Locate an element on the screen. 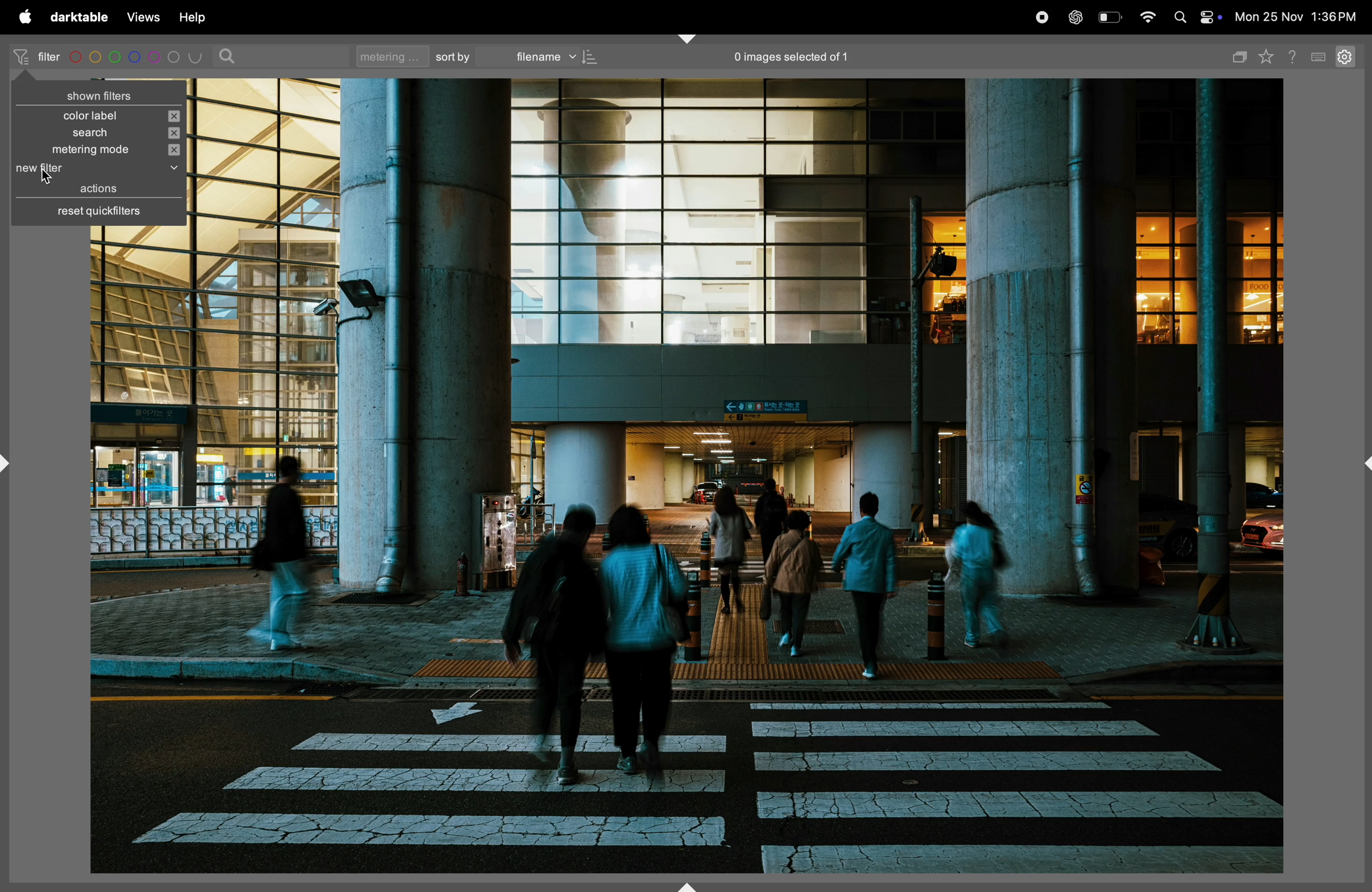 The image size is (1372, 892). metering is located at coordinates (389, 56).